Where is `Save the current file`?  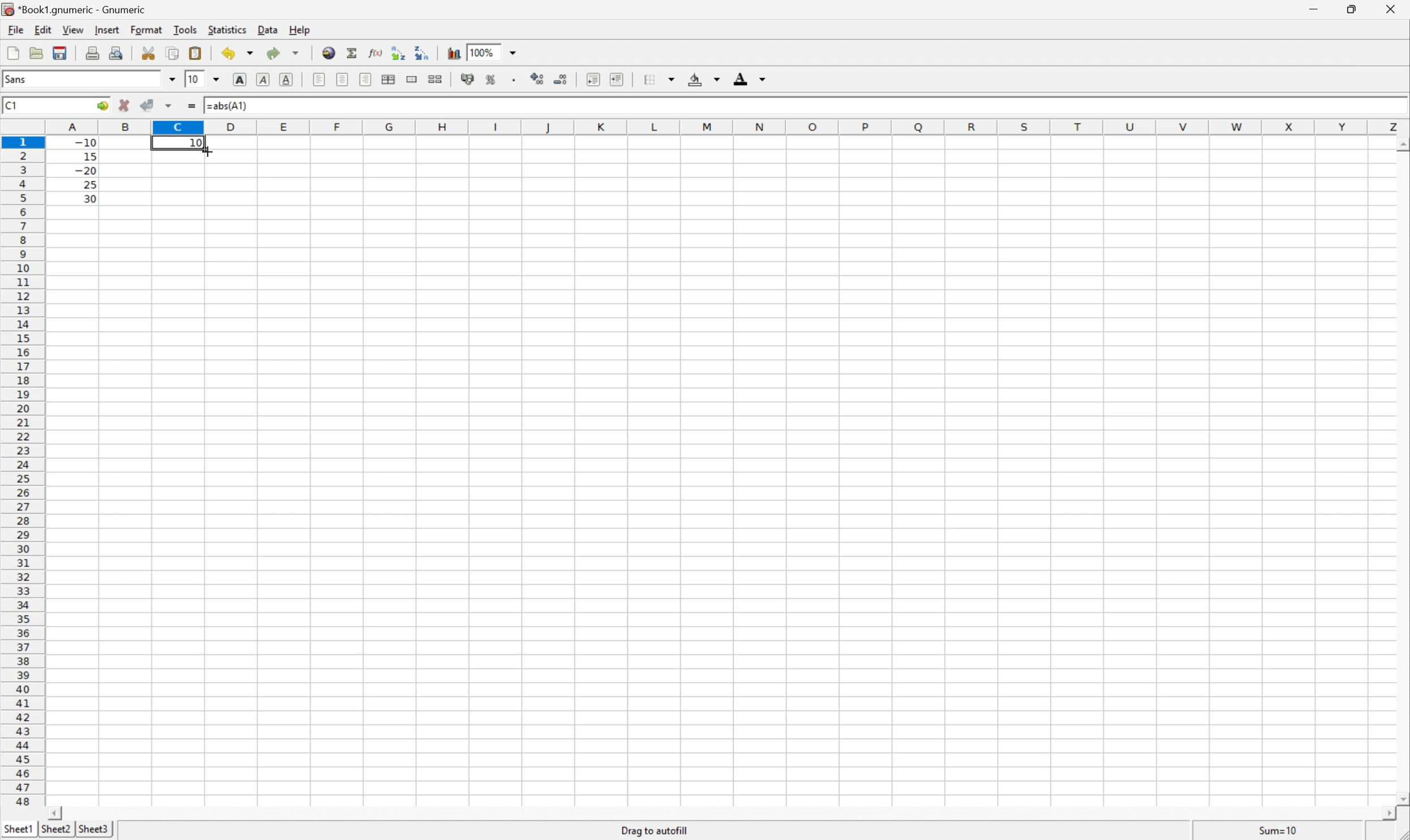
Save the current file is located at coordinates (61, 52).